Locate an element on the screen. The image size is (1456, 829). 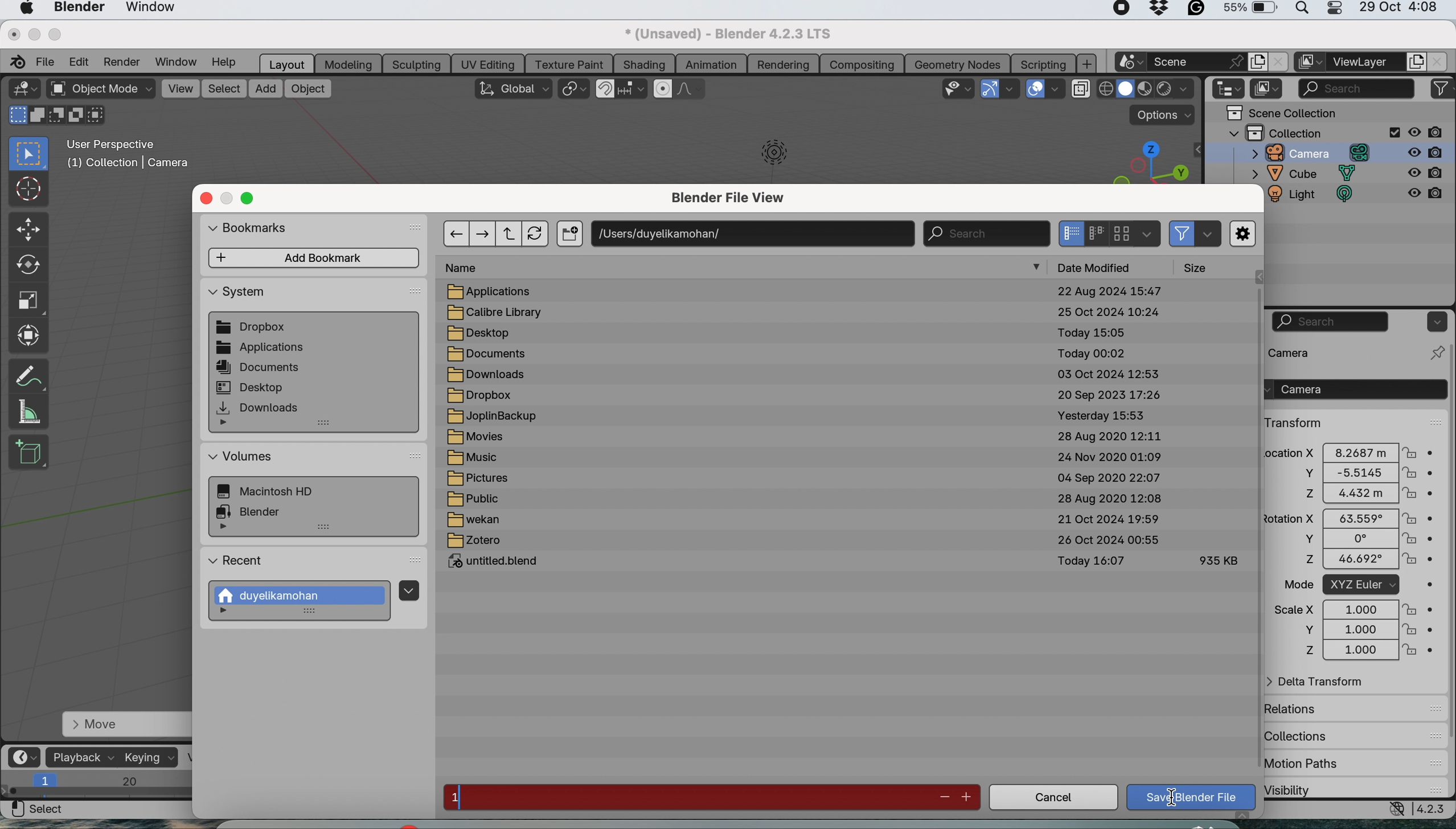
file name is located at coordinates (685, 798).